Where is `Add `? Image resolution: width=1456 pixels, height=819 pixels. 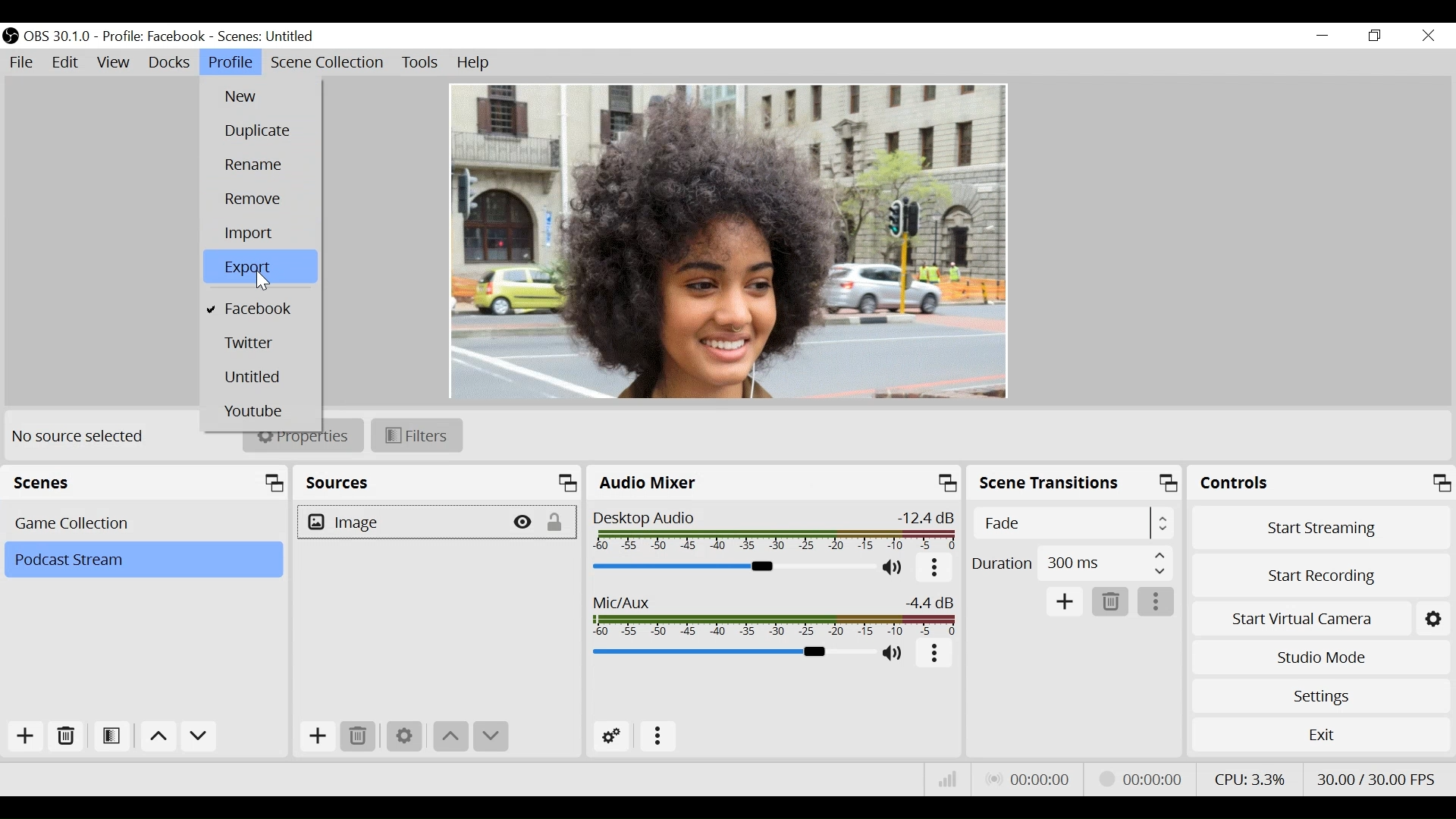
Add  is located at coordinates (1065, 603).